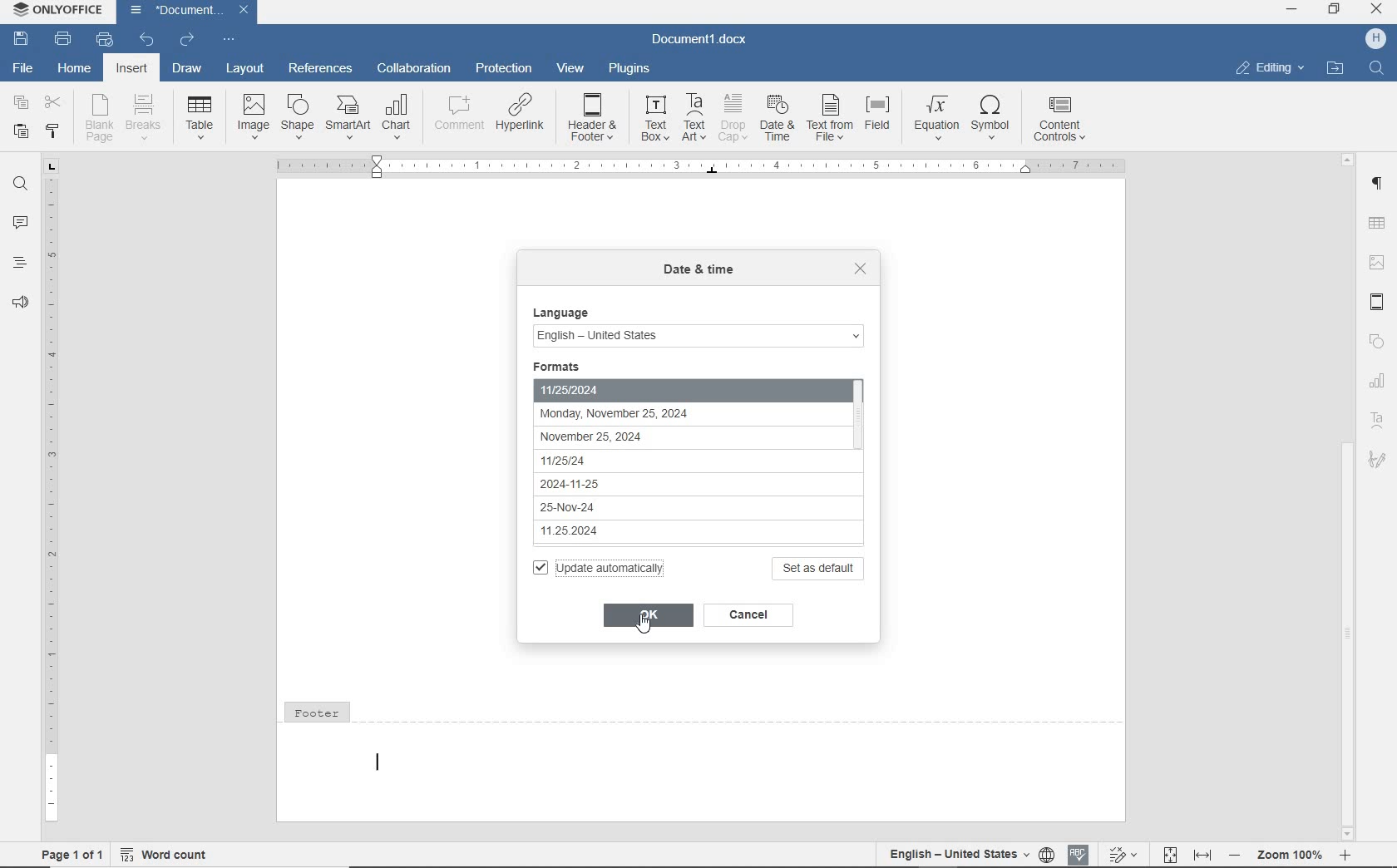 The height and width of the screenshot is (868, 1397). What do you see at coordinates (1380, 303) in the screenshot?
I see `header & footer` at bounding box center [1380, 303].